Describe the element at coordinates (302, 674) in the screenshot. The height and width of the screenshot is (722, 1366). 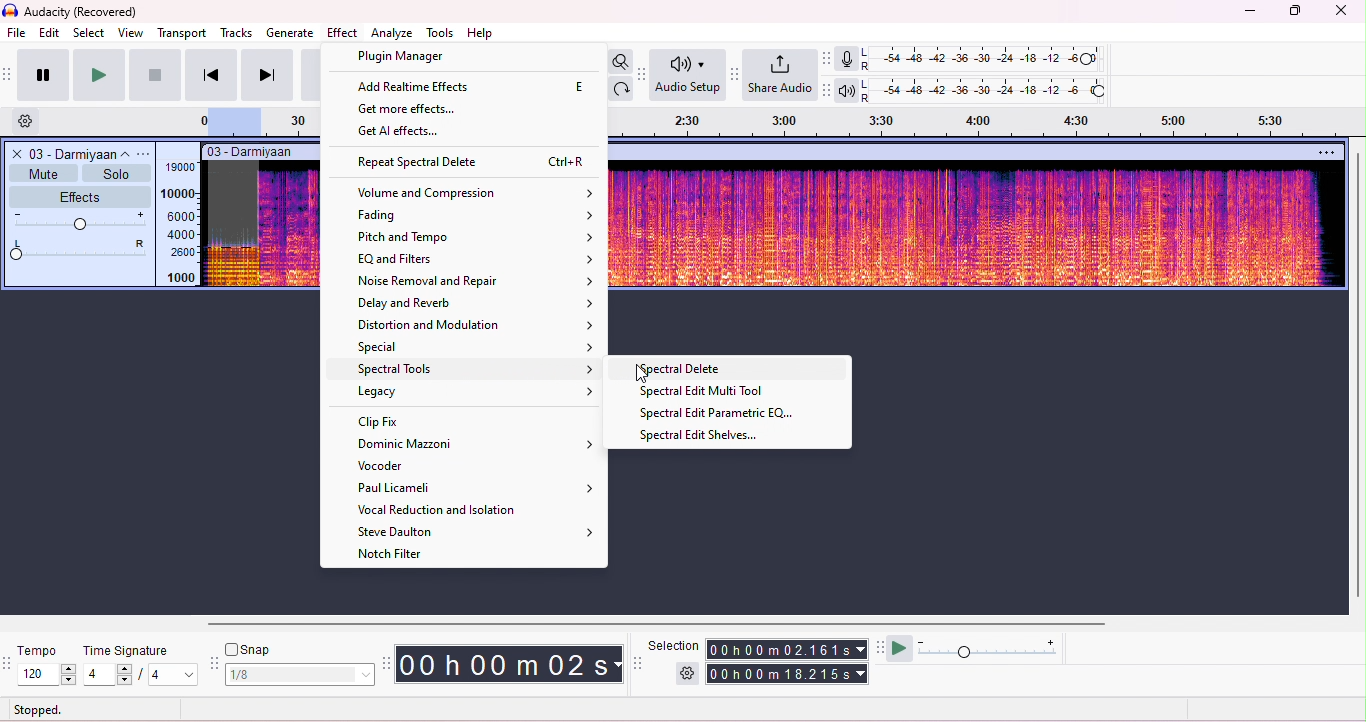
I see `select snap` at that location.